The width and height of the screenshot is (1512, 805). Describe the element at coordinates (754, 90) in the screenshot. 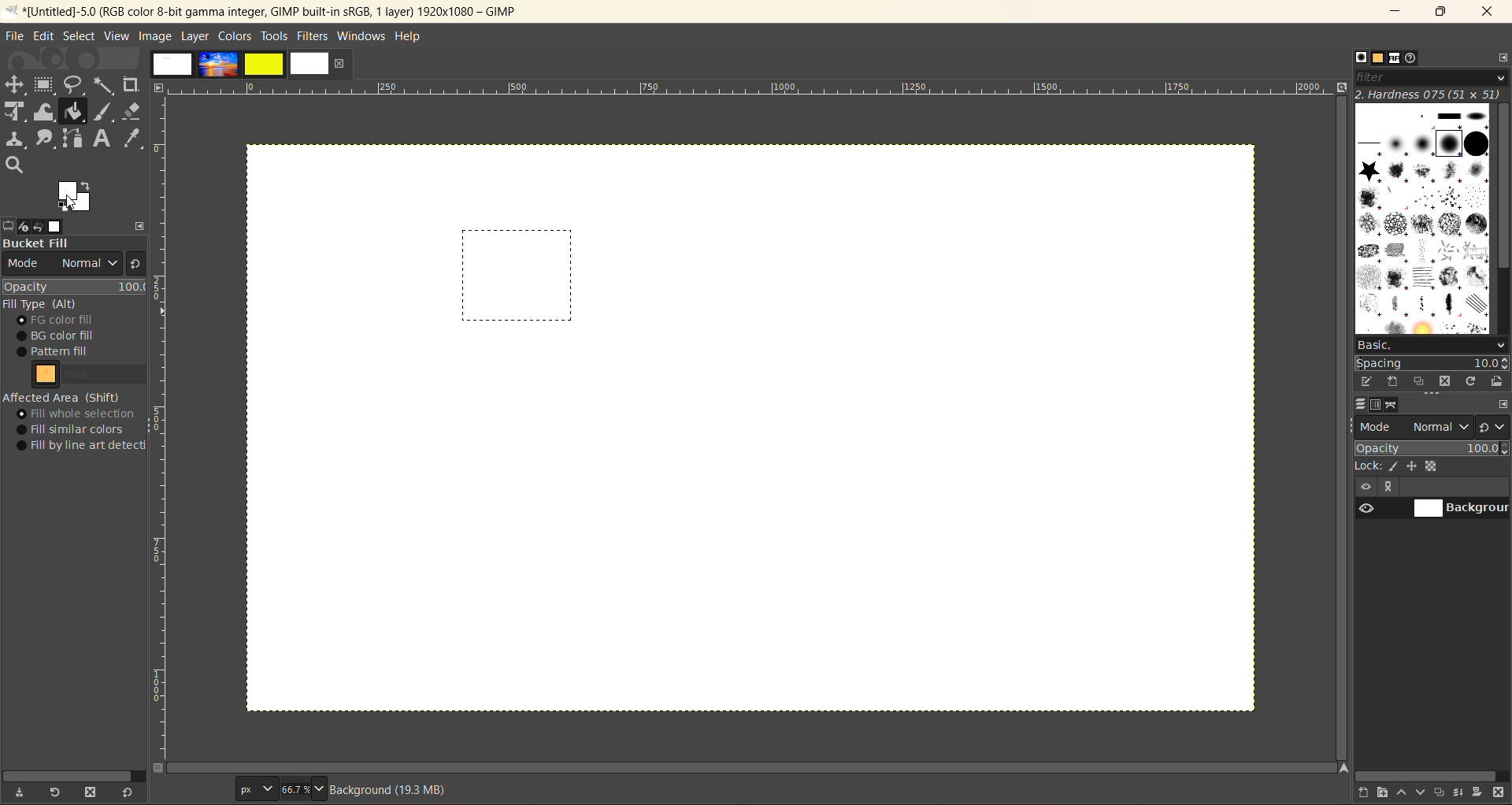

I see `scale` at that location.